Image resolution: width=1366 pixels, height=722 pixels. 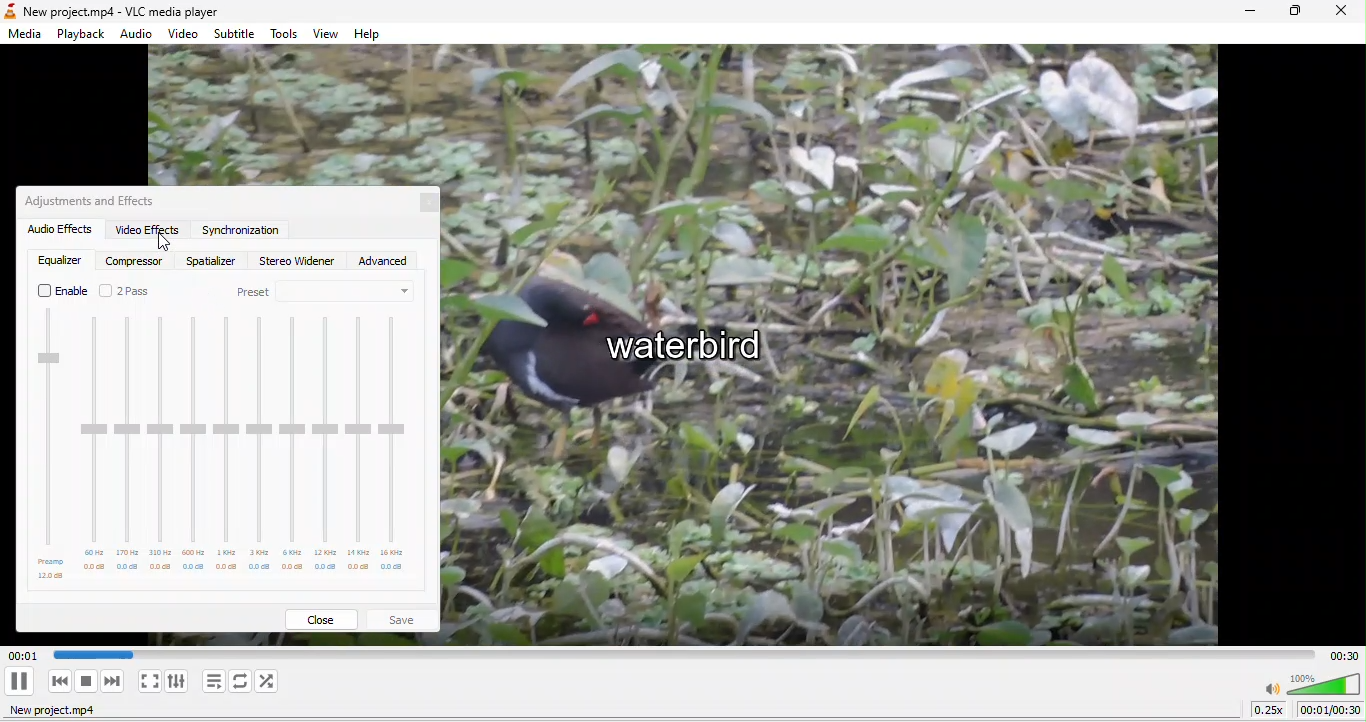 What do you see at coordinates (212, 682) in the screenshot?
I see `toggle playlist` at bounding box center [212, 682].